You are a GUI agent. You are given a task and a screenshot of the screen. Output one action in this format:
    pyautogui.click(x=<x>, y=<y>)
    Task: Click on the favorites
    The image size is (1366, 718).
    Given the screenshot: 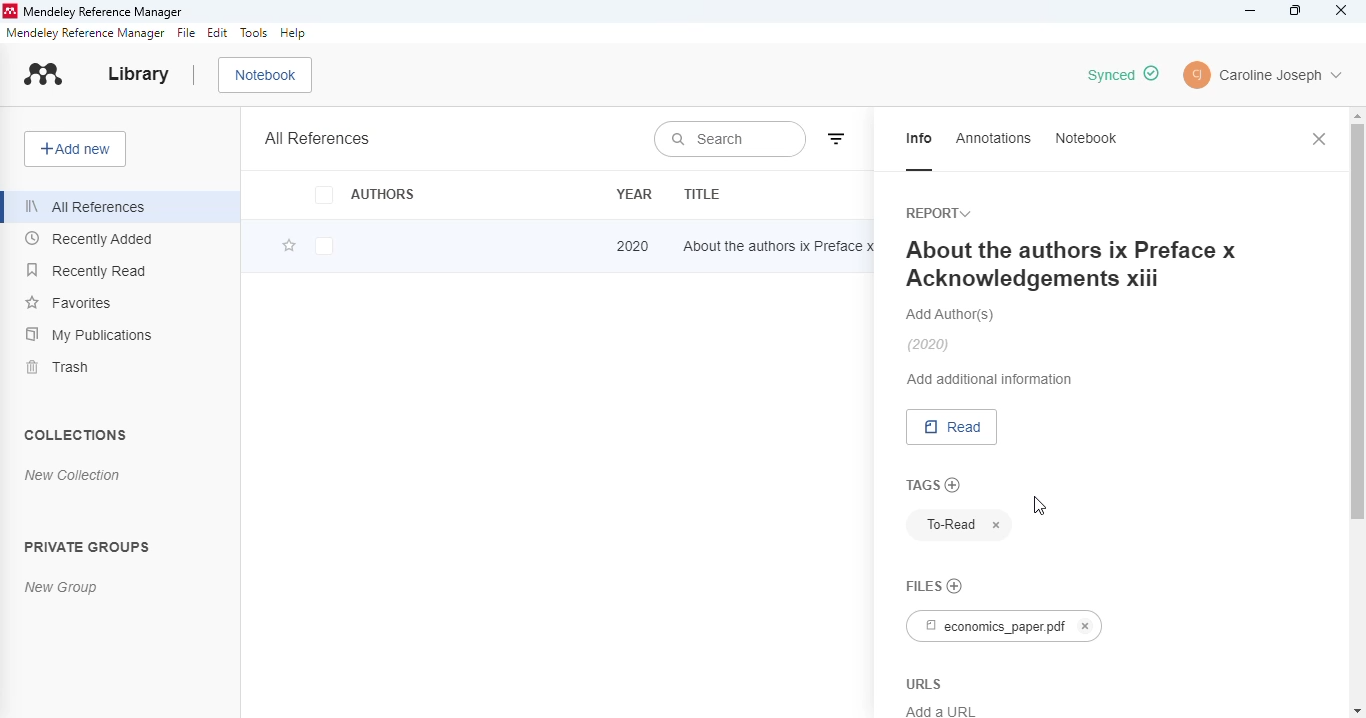 What is the action you would take?
    pyautogui.click(x=68, y=301)
    